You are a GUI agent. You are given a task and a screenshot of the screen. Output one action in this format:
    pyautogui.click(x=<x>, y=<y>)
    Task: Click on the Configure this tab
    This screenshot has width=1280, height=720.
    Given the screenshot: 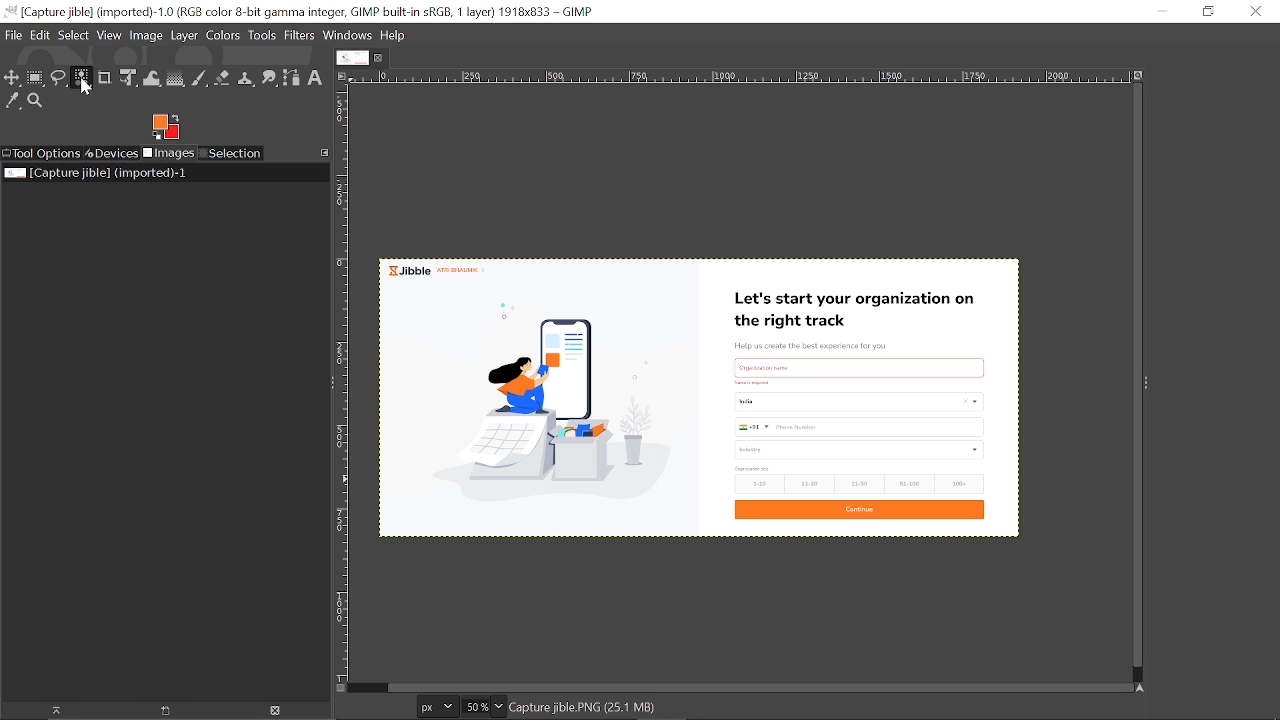 What is the action you would take?
    pyautogui.click(x=325, y=152)
    